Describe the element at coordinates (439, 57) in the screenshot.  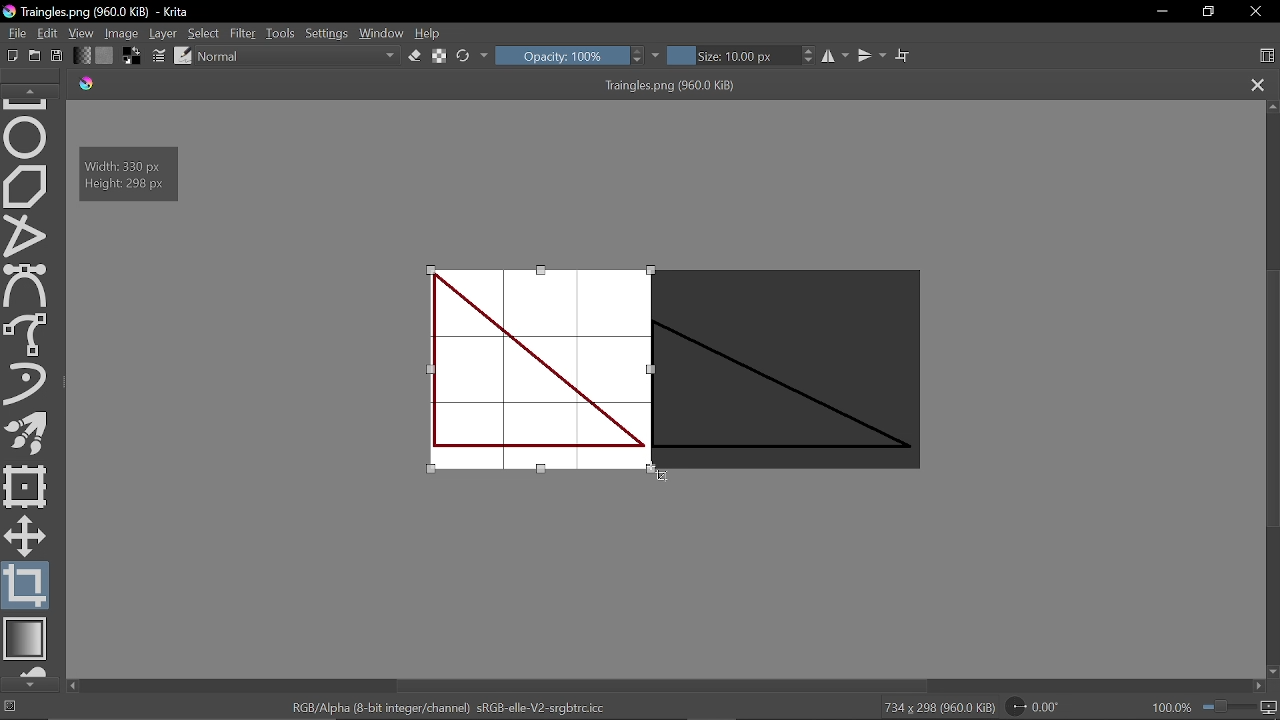
I see `Preserve alpha` at that location.